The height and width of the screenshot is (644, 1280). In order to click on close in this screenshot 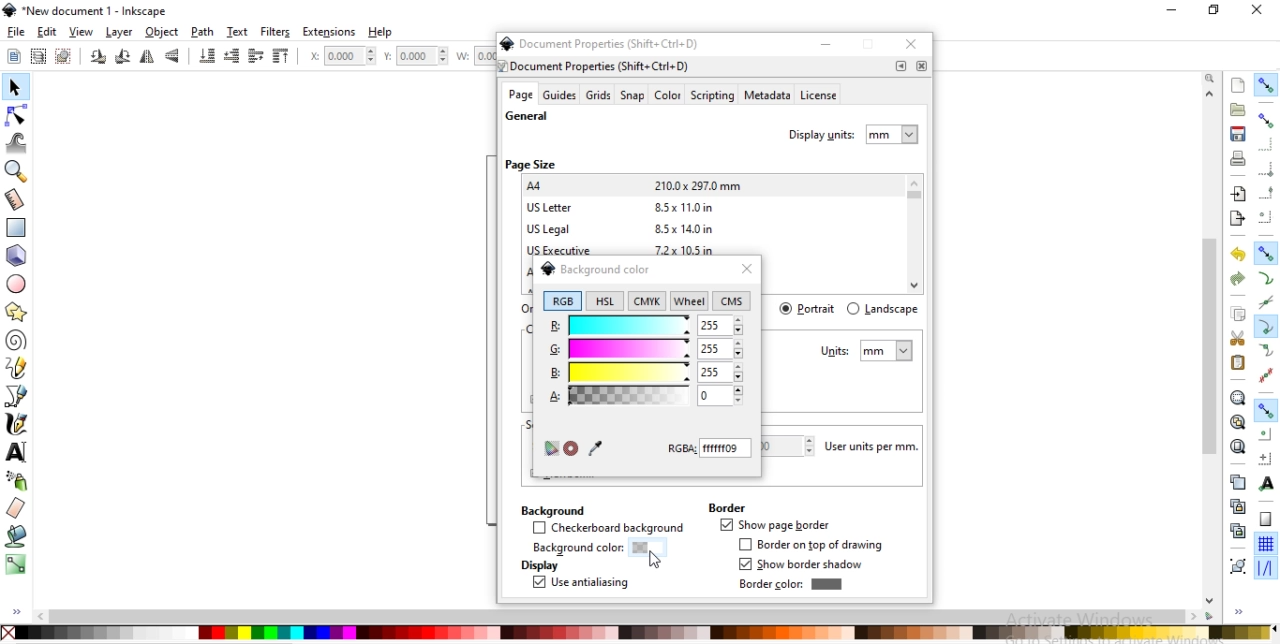, I will do `click(1258, 10)`.